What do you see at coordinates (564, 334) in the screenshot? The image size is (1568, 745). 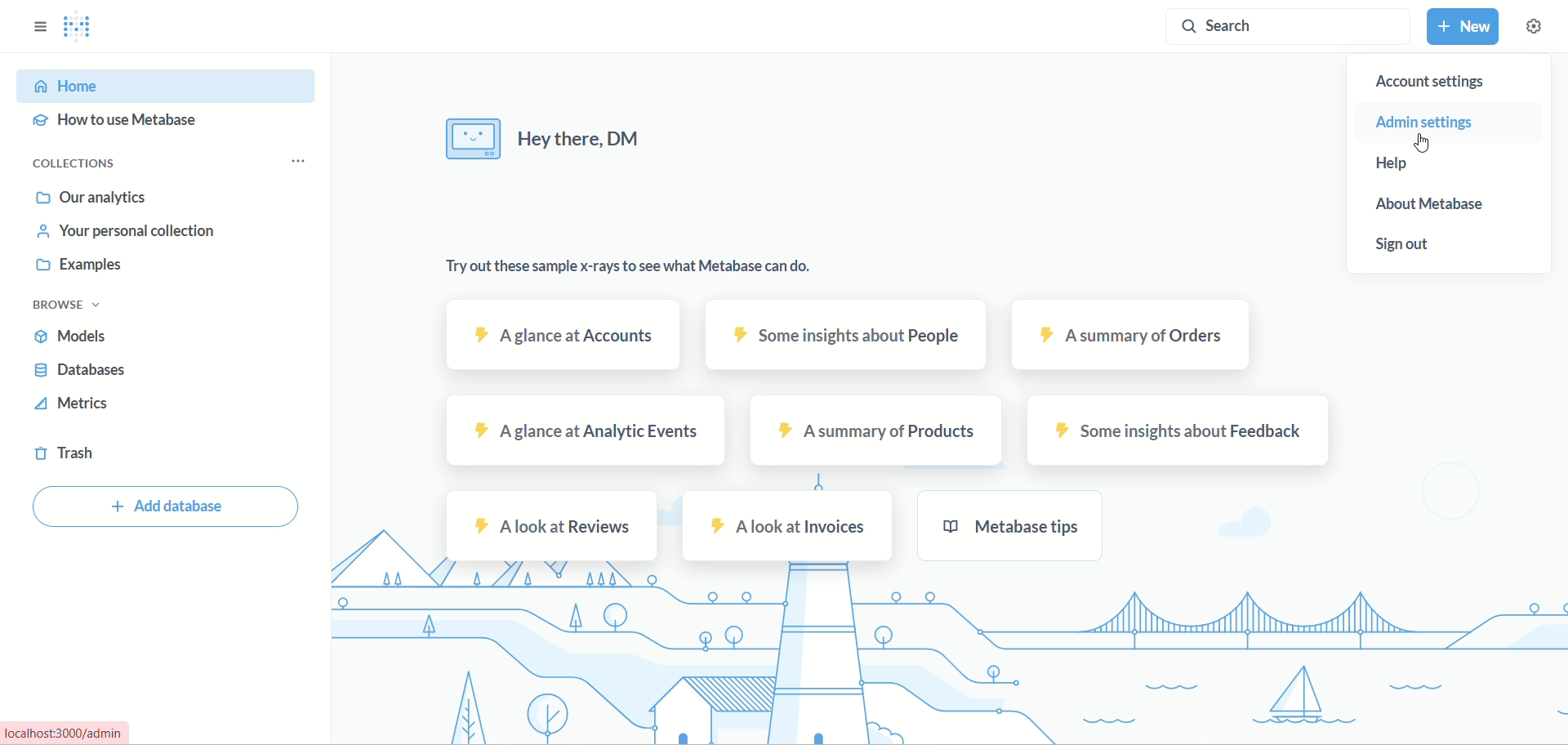 I see `accounts` at bounding box center [564, 334].